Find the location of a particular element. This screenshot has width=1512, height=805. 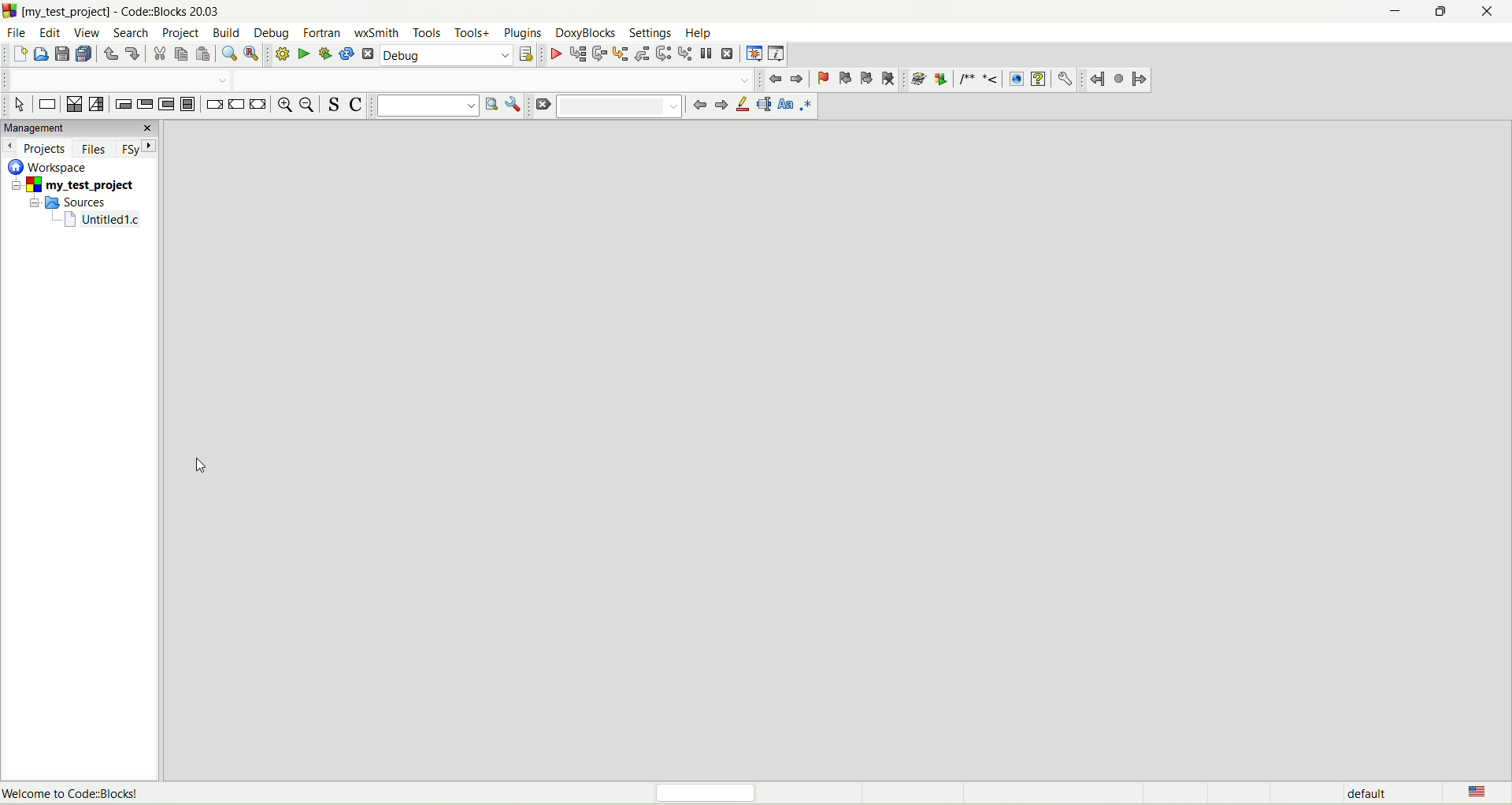

extract documentation is located at coordinates (943, 80).